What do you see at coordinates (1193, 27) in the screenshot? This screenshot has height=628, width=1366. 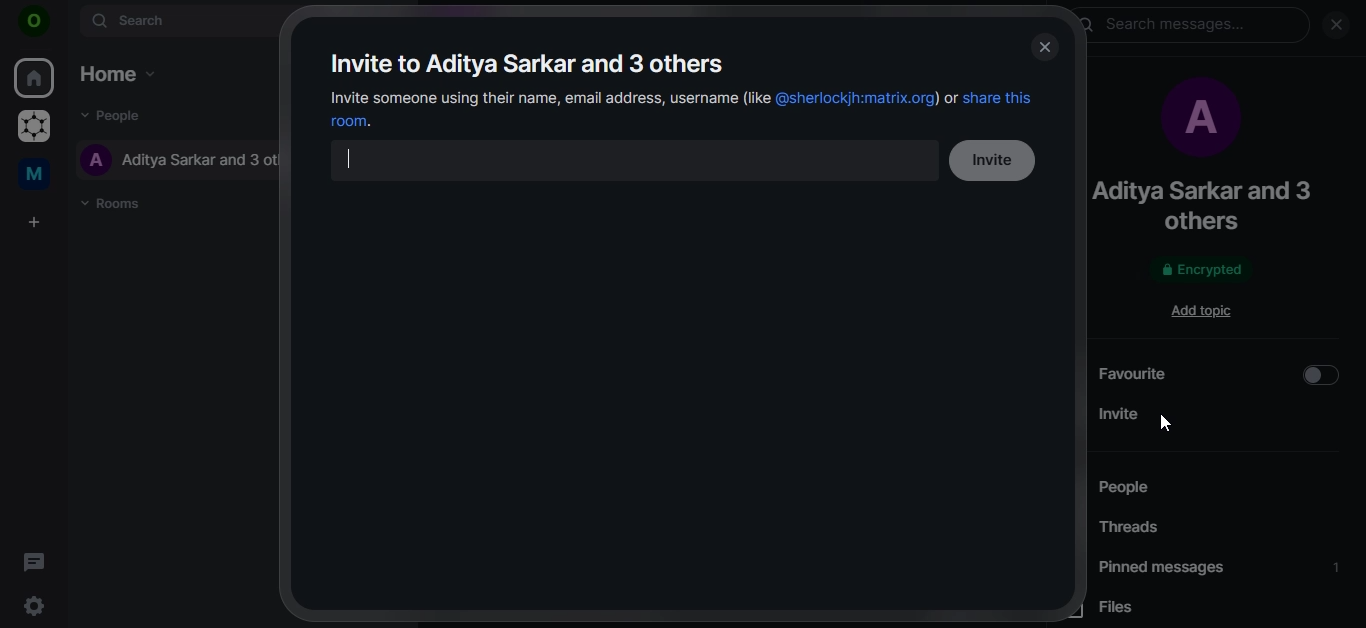 I see `search messages` at bounding box center [1193, 27].